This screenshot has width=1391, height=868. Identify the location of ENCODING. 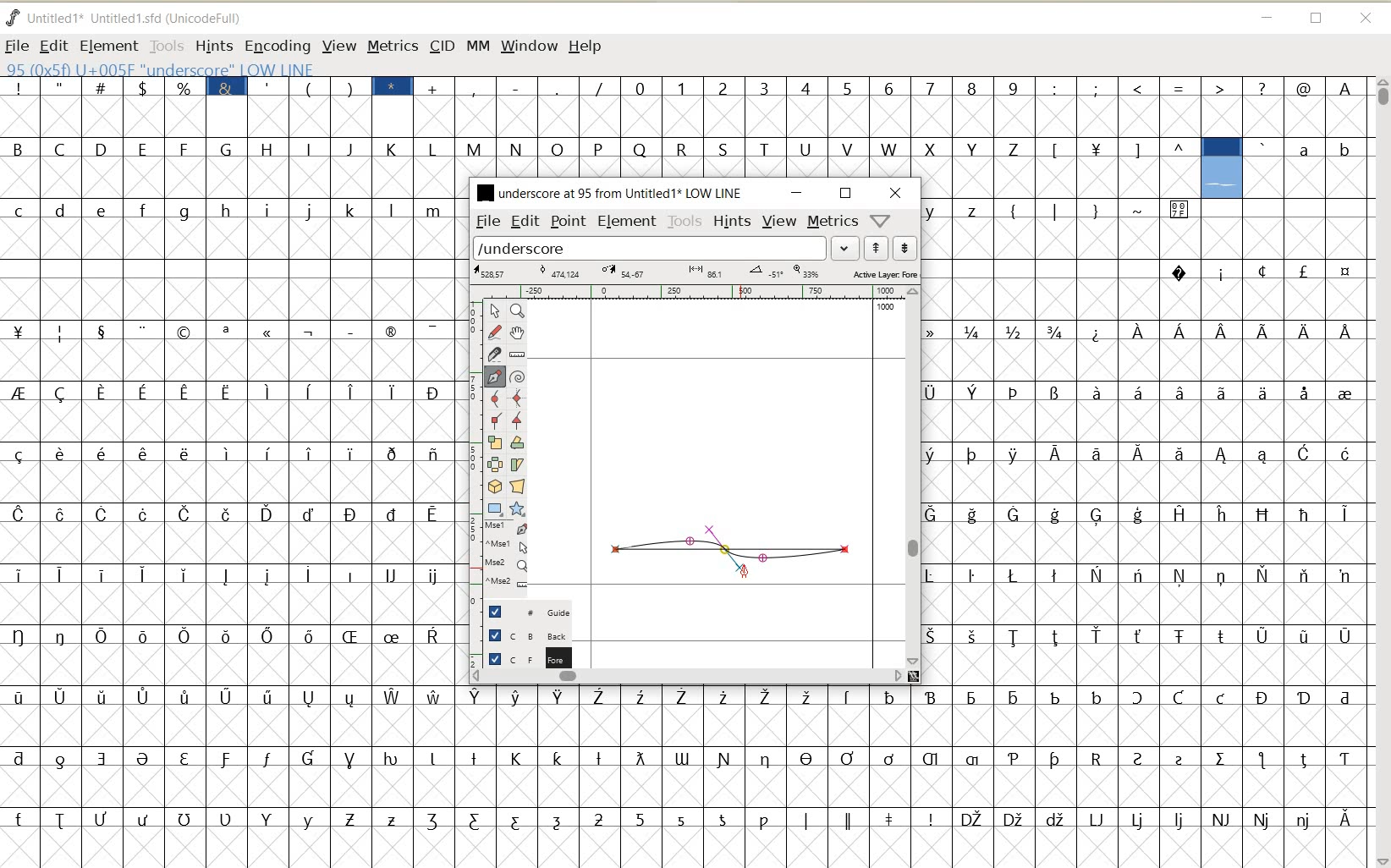
(277, 47).